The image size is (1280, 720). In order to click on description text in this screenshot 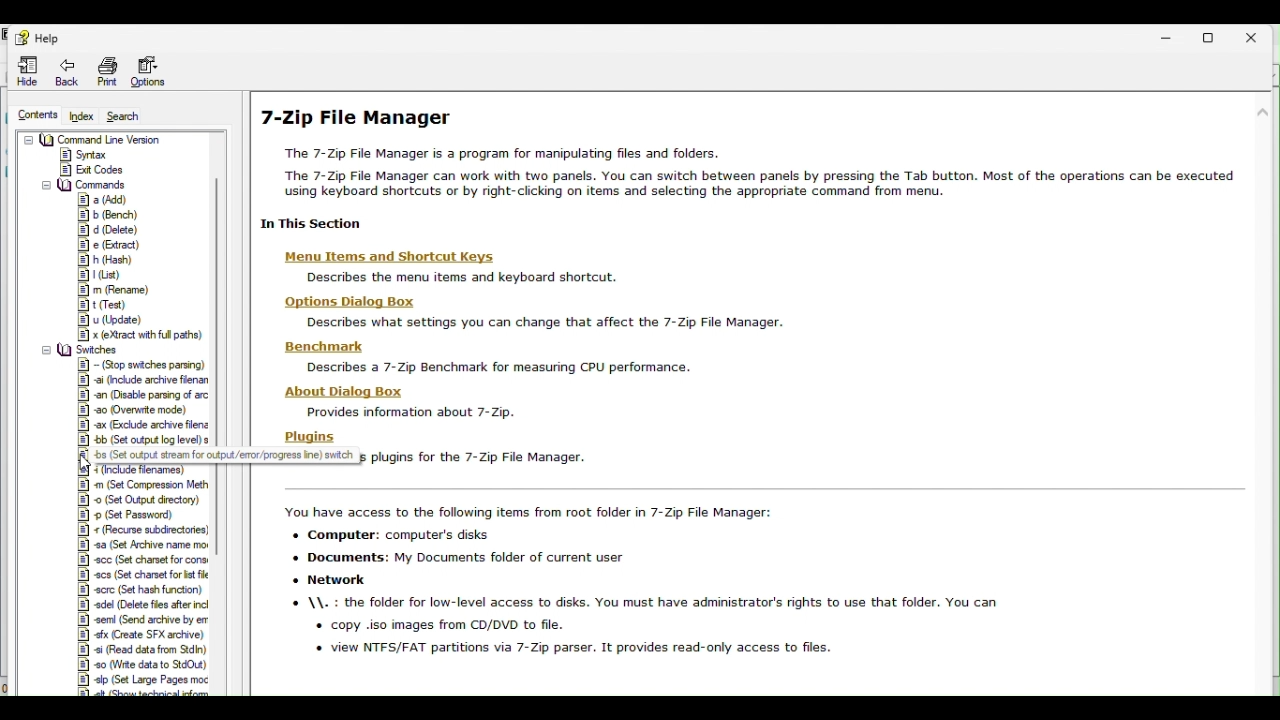, I will do `click(561, 322)`.